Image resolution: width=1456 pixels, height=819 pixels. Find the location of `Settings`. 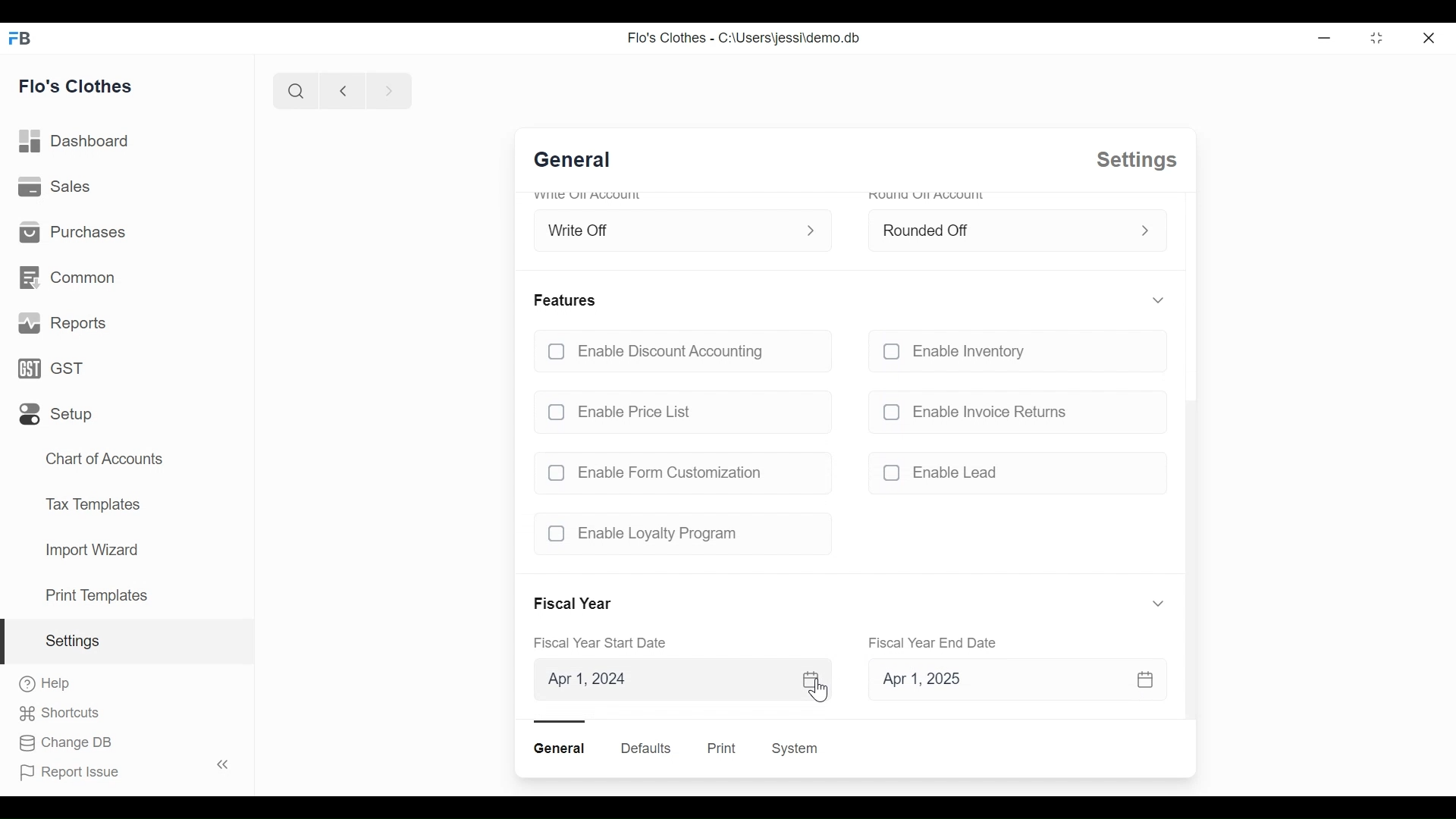

Settings is located at coordinates (1134, 160).